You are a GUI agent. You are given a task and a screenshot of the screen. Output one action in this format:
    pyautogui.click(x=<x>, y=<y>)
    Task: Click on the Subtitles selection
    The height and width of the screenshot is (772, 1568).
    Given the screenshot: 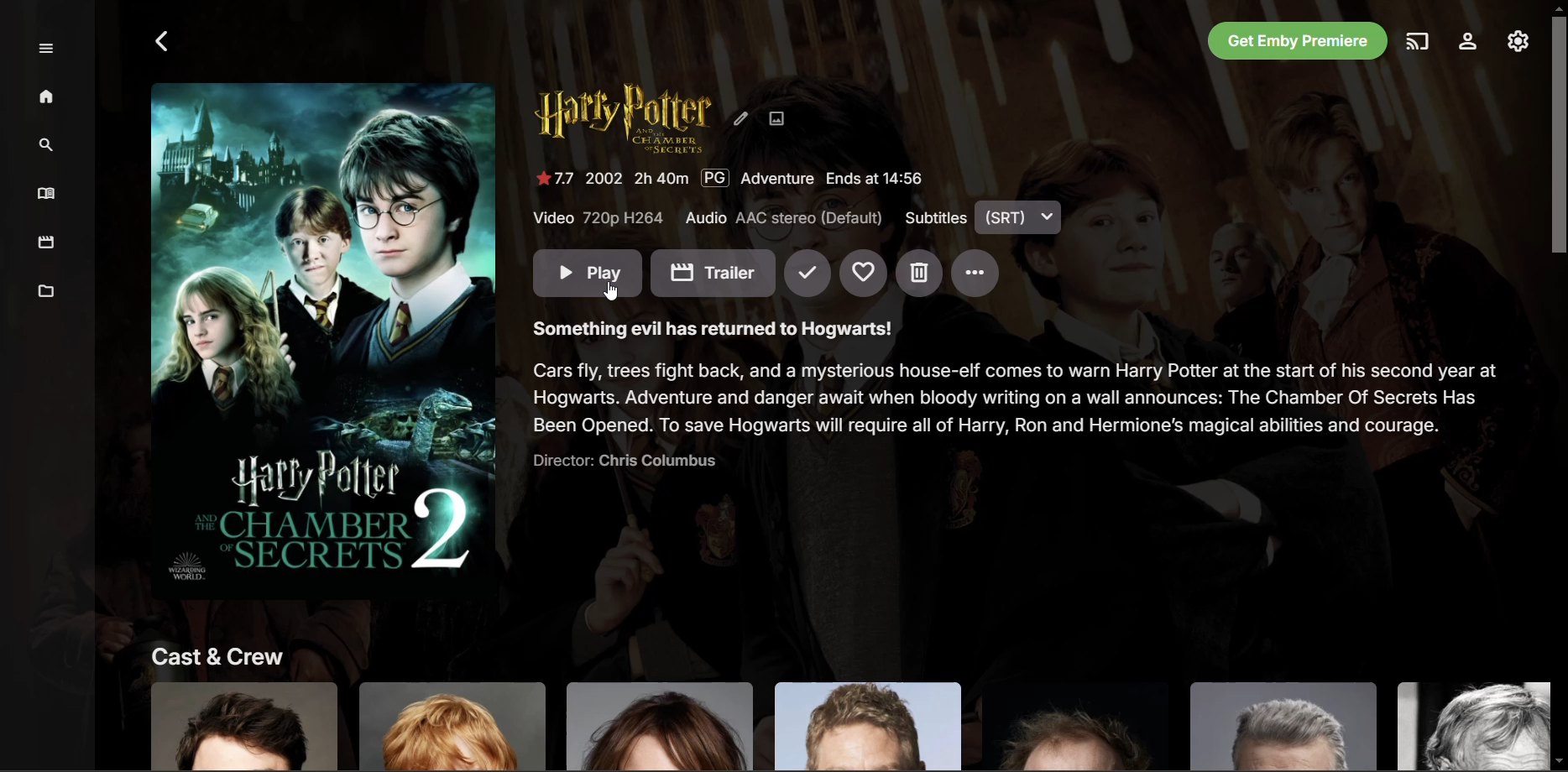 What is the action you would take?
    pyautogui.click(x=984, y=217)
    